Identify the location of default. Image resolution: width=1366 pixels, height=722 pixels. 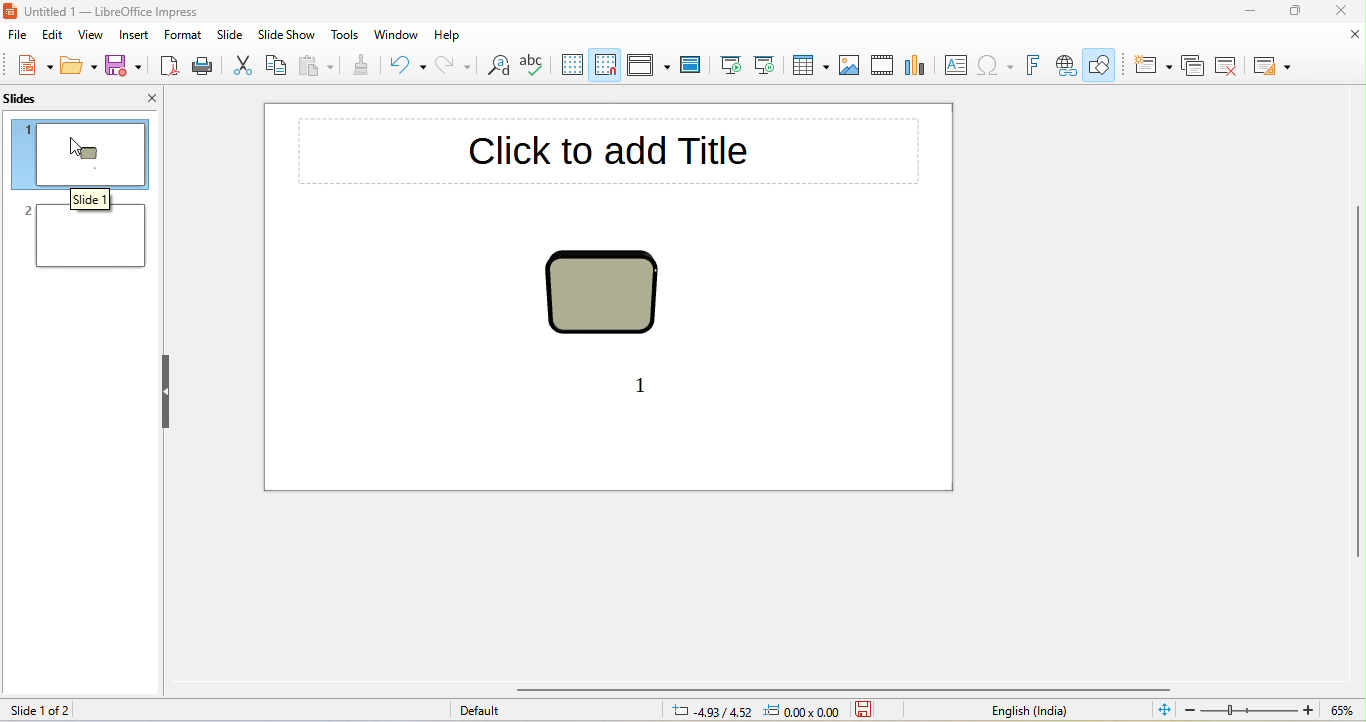
(502, 711).